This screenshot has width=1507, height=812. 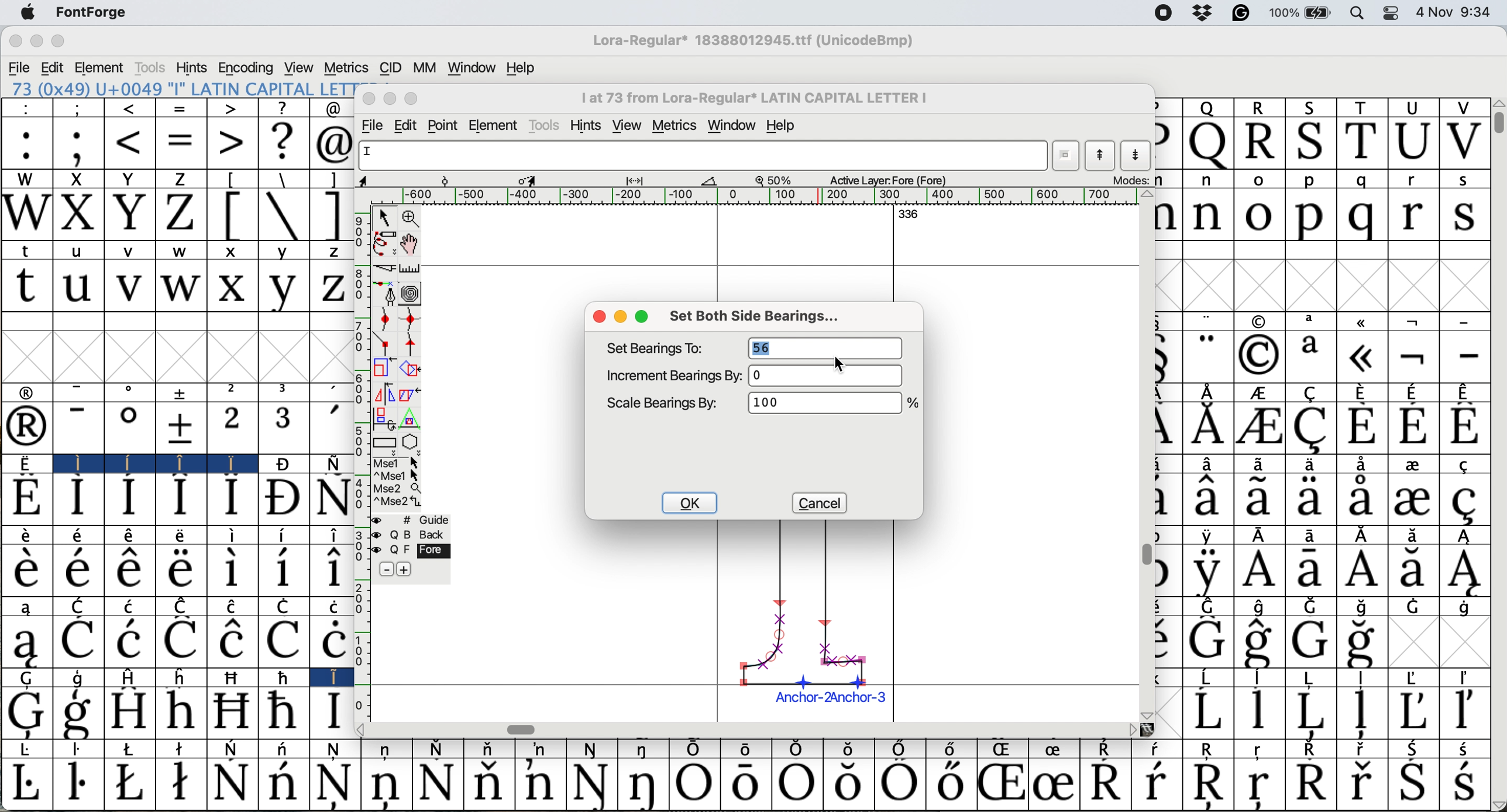 I want to click on Symbol, so click(x=1471, y=463).